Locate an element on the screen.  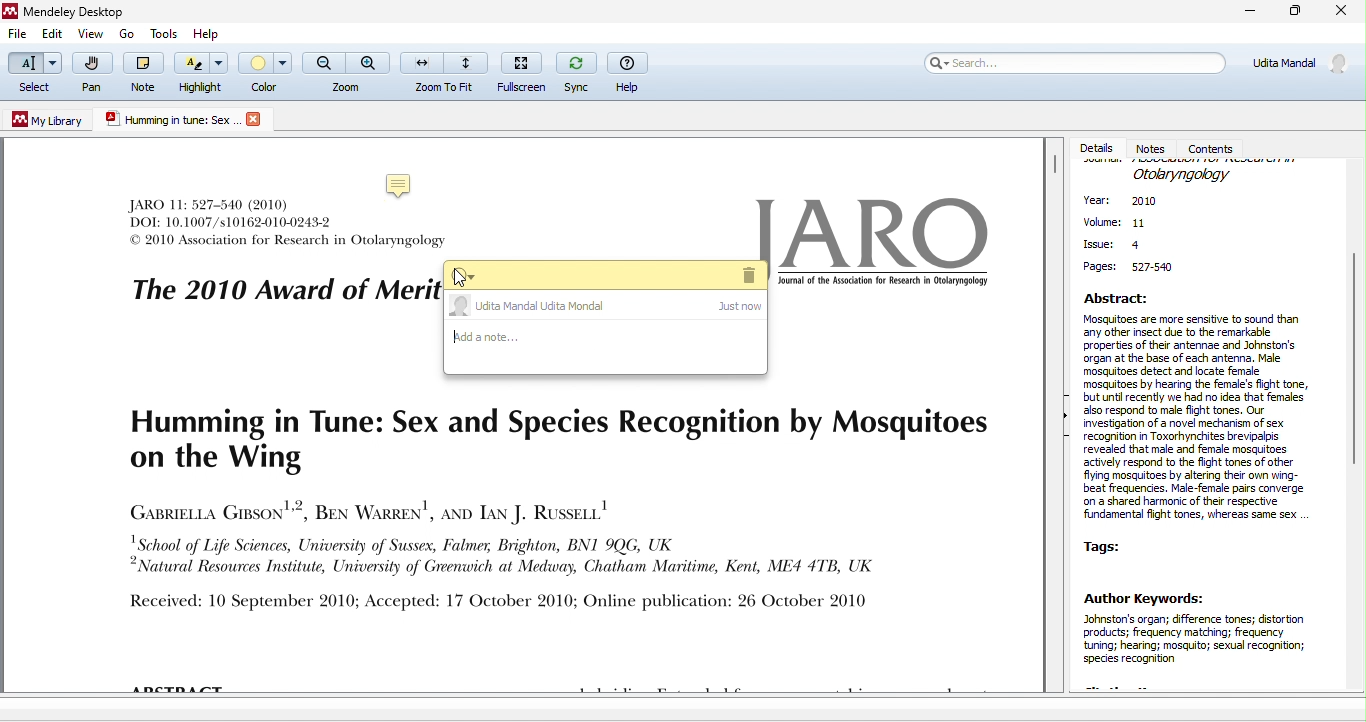
close is located at coordinates (1342, 12).